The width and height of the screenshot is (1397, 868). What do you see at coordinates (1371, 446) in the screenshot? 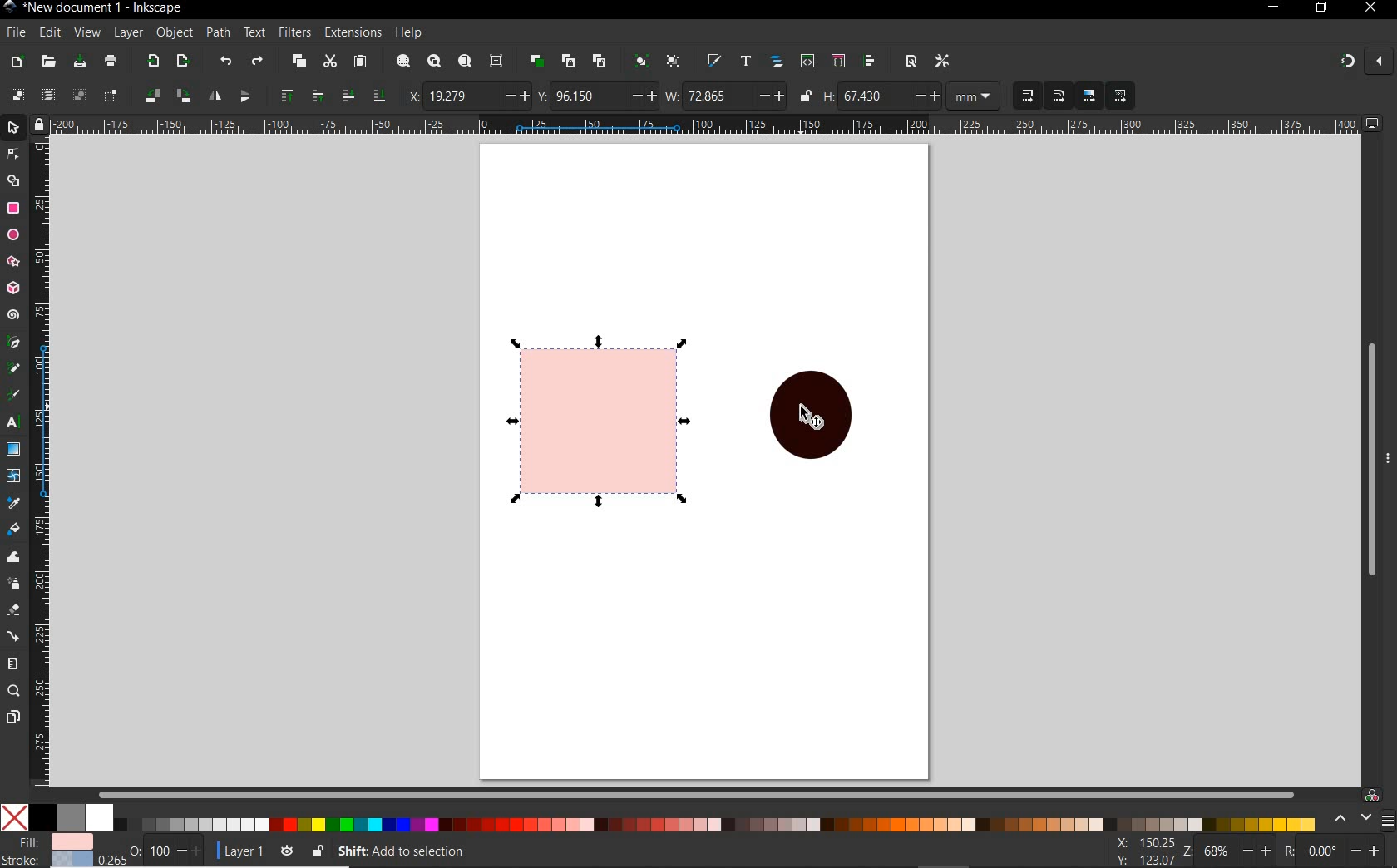
I see `scrollbar` at bounding box center [1371, 446].